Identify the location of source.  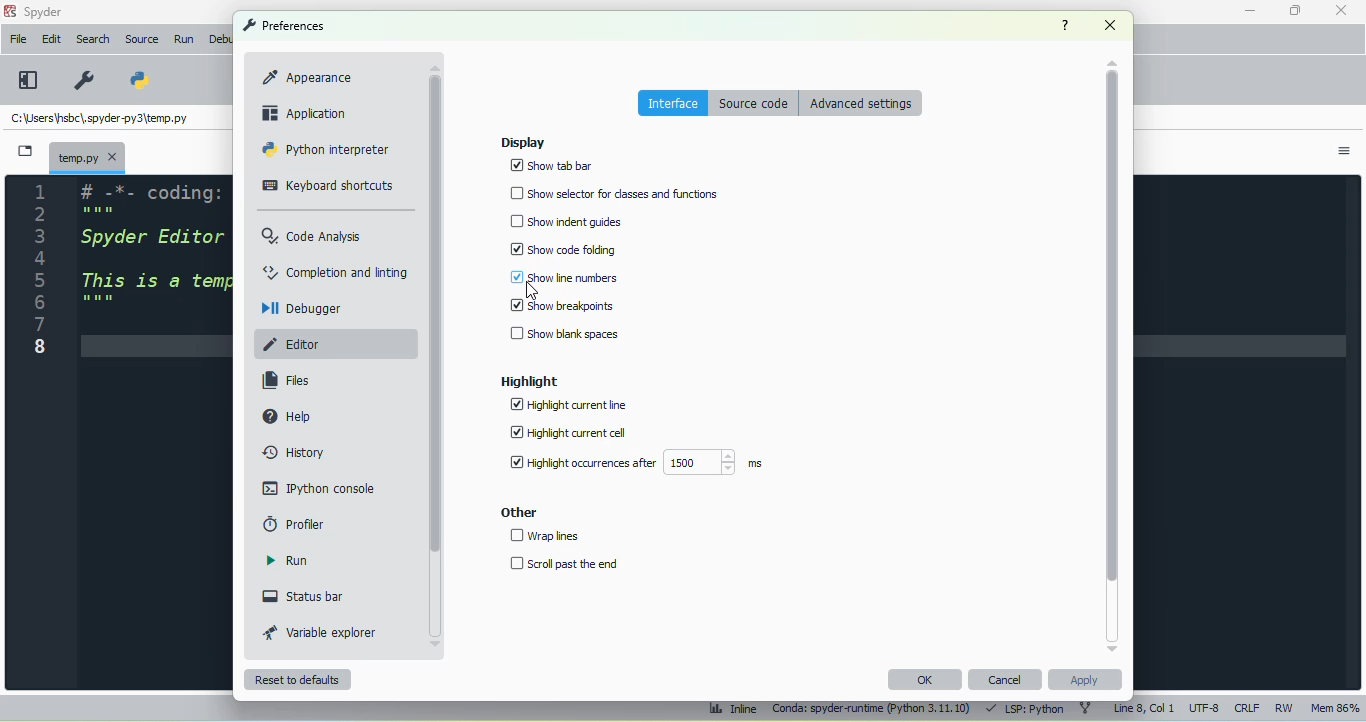
(143, 40).